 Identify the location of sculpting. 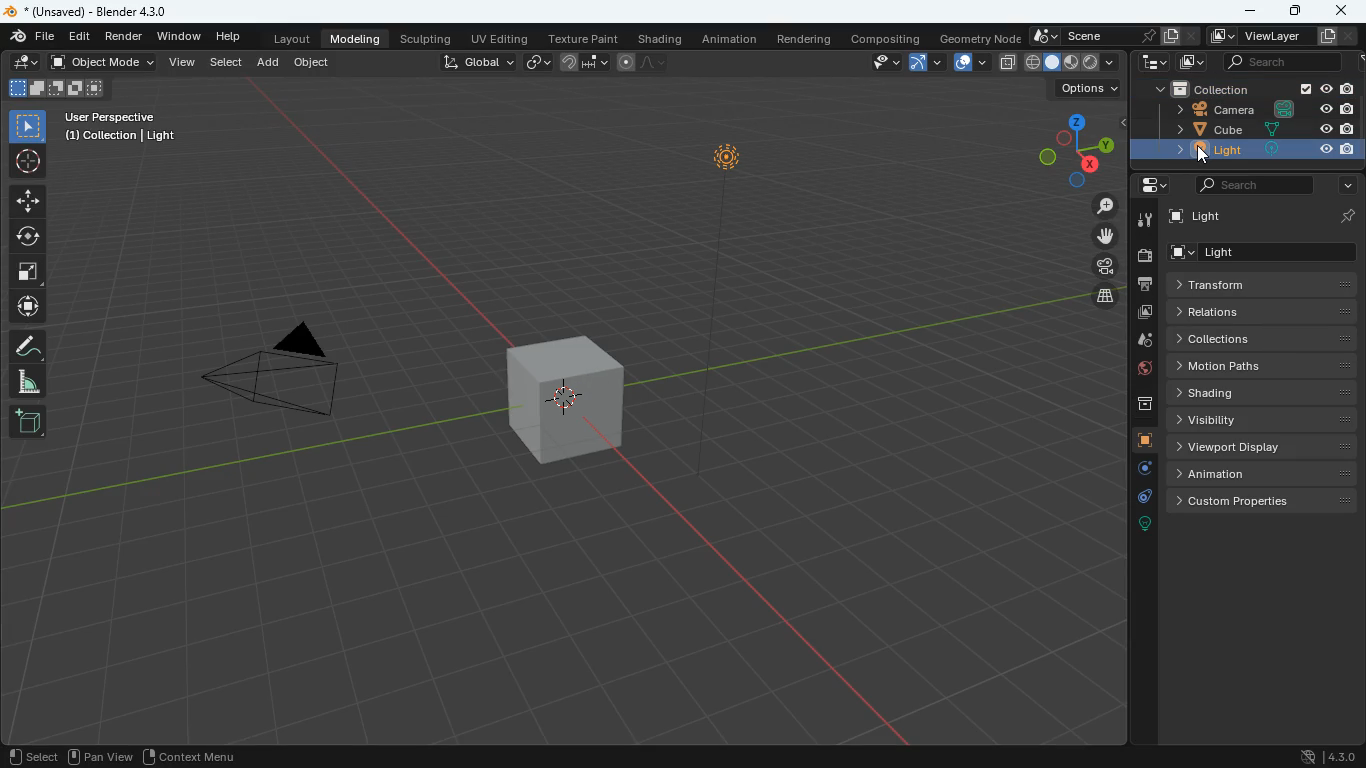
(427, 39).